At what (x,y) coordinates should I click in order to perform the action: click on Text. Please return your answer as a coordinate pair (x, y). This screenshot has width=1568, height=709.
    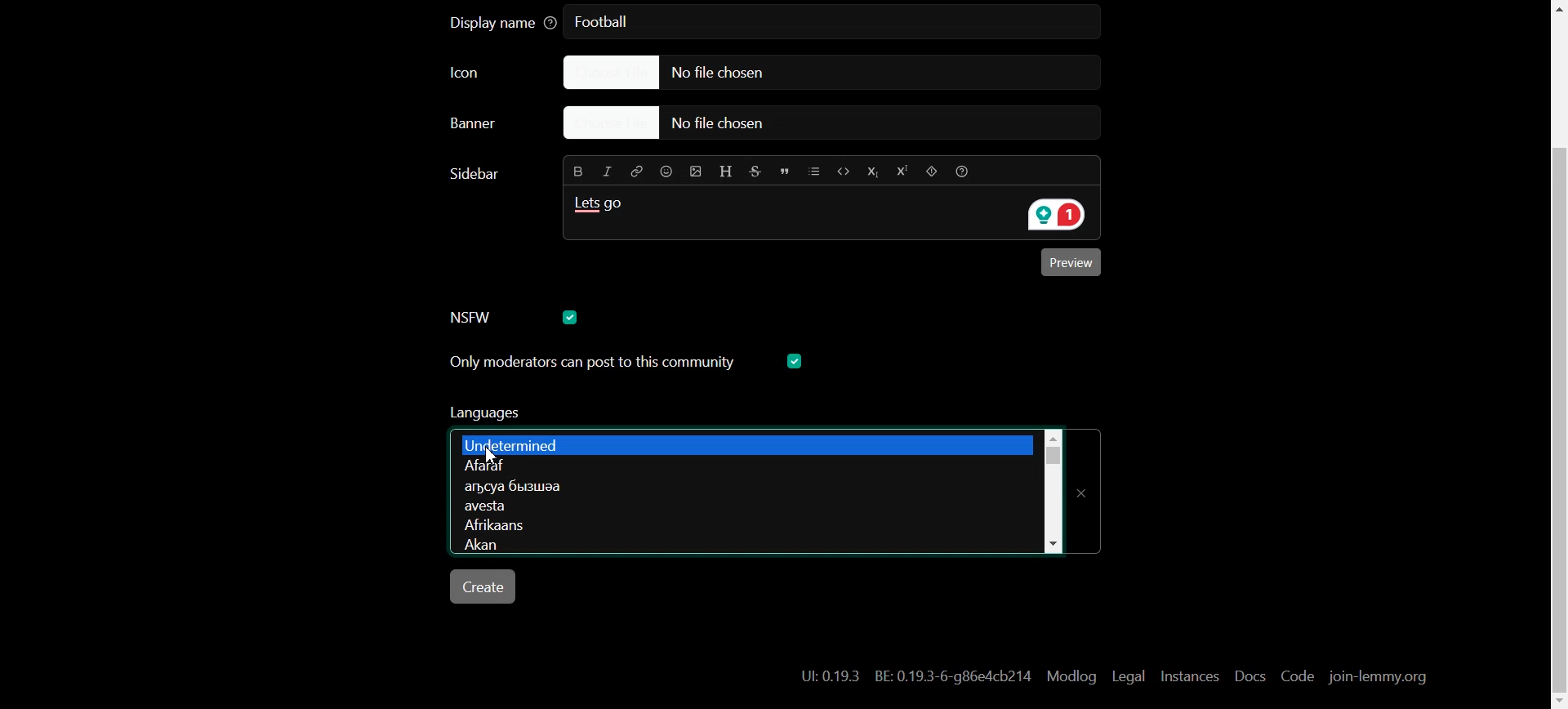
    Looking at the image, I should click on (608, 23).